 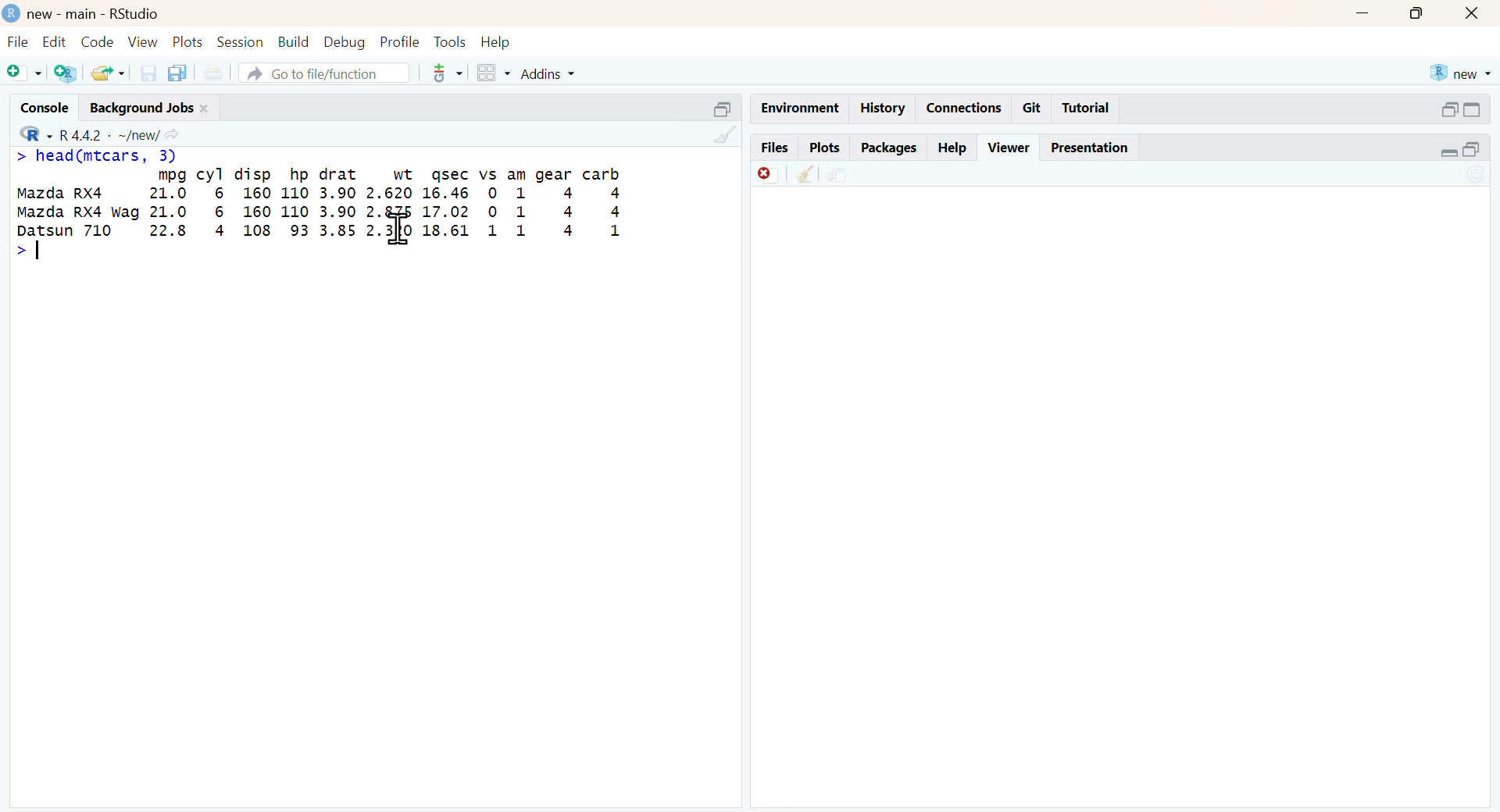 What do you see at coordinates (95, 41) in the screenshot?
I see `Code` at bounding box center [95, 41].